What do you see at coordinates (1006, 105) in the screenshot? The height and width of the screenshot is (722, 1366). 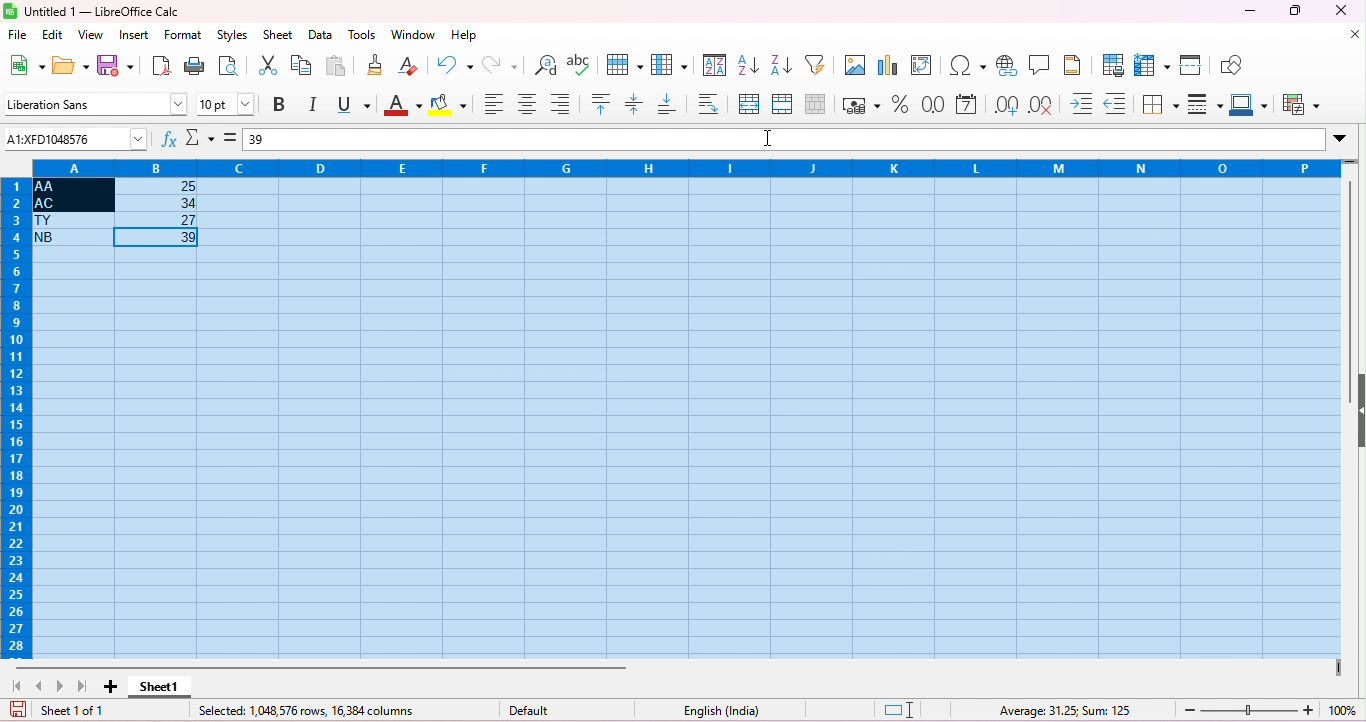 I see `add decimal` at bounding box center [1006, 105].